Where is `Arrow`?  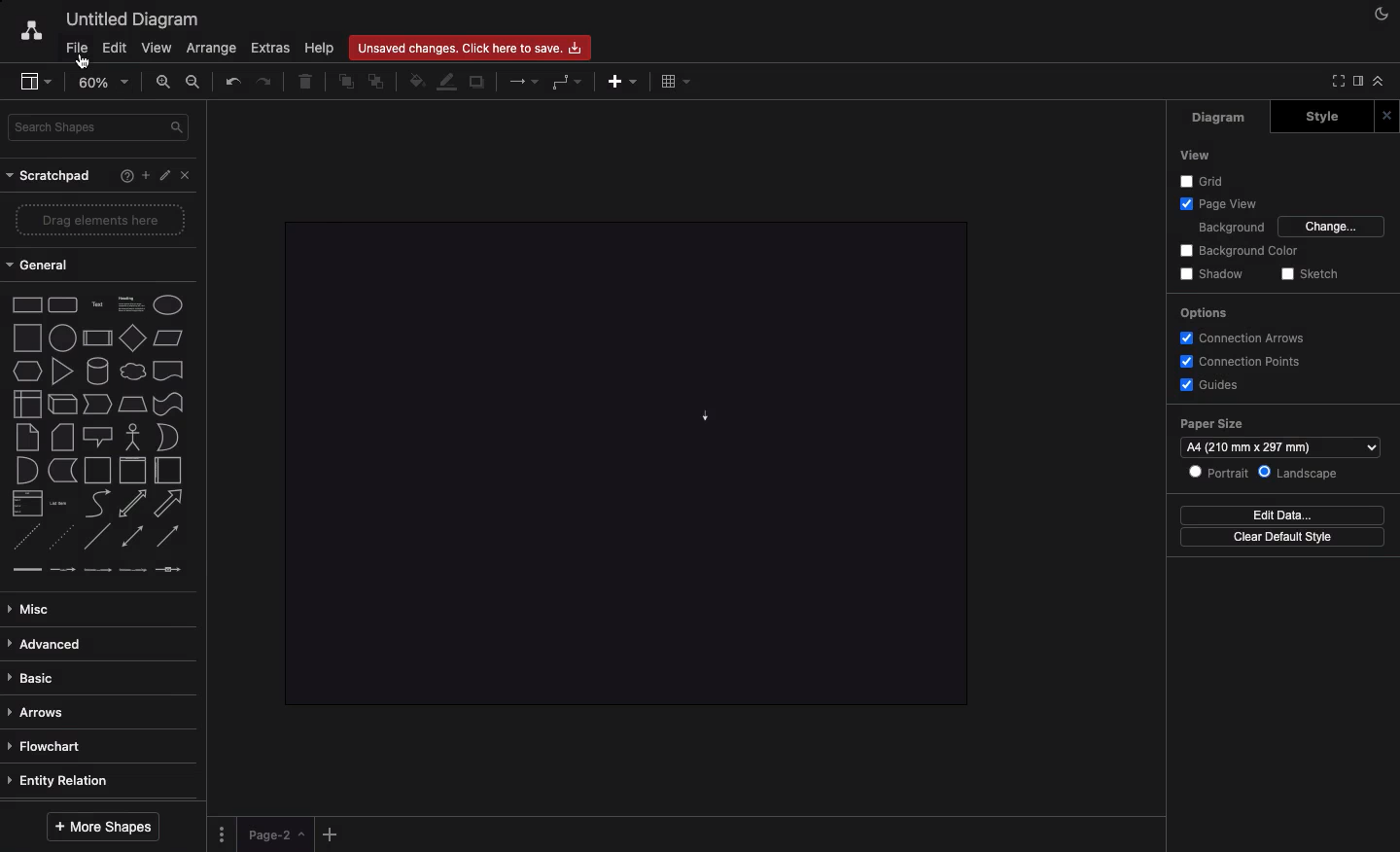
Arrow is located at coordinates (706, 417).